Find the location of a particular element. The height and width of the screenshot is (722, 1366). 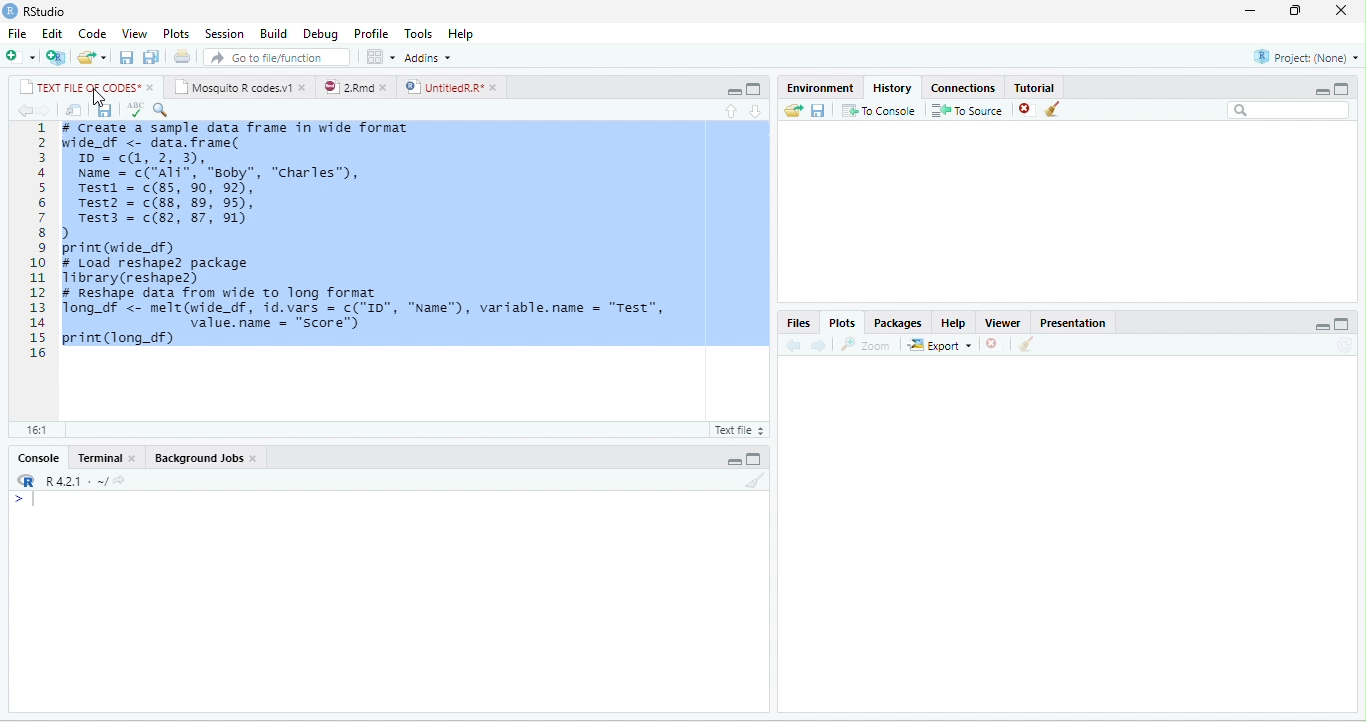

line numbering is located at coordinates (38, 239).